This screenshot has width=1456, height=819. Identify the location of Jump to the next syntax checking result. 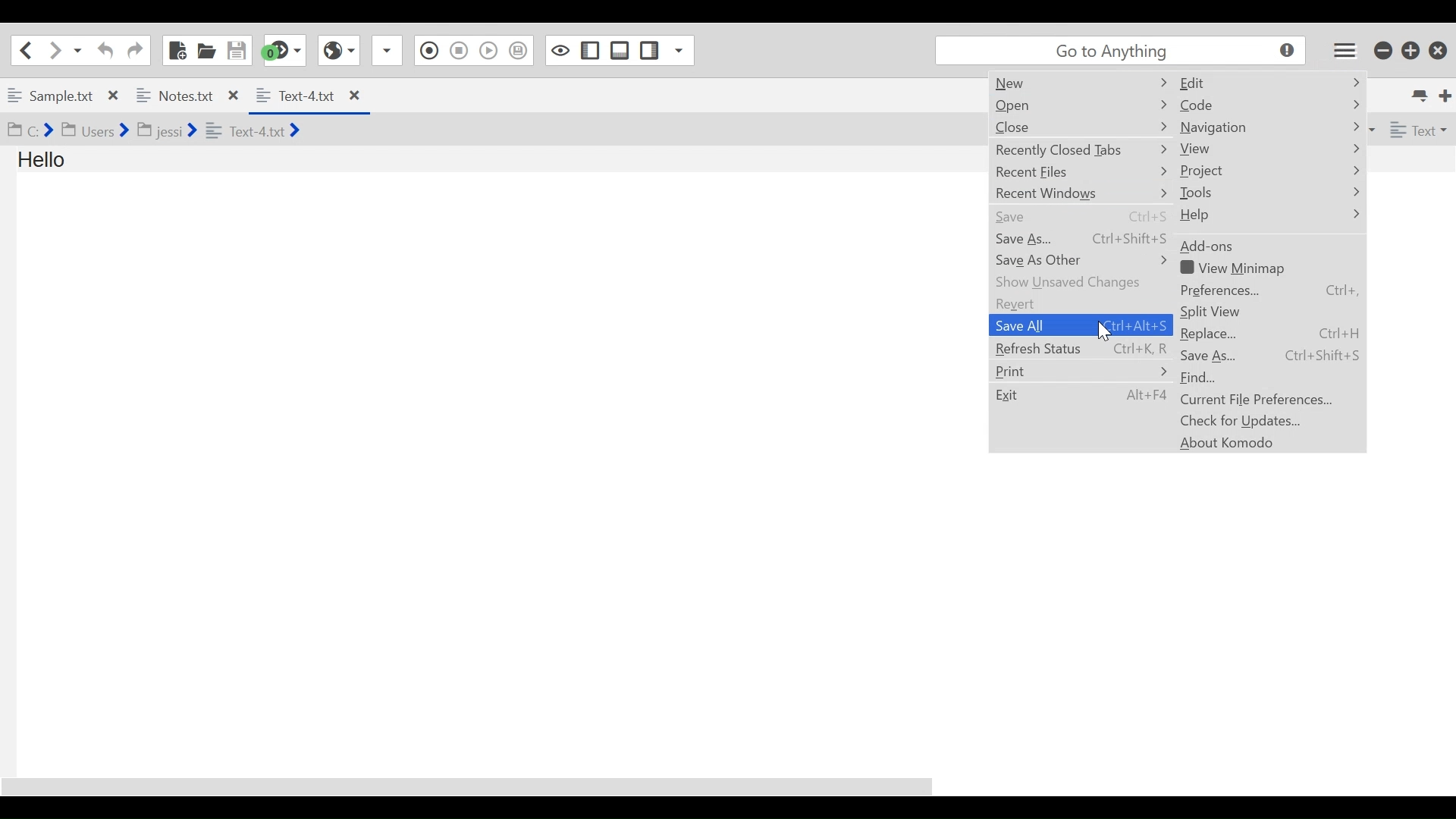
(283, 50).